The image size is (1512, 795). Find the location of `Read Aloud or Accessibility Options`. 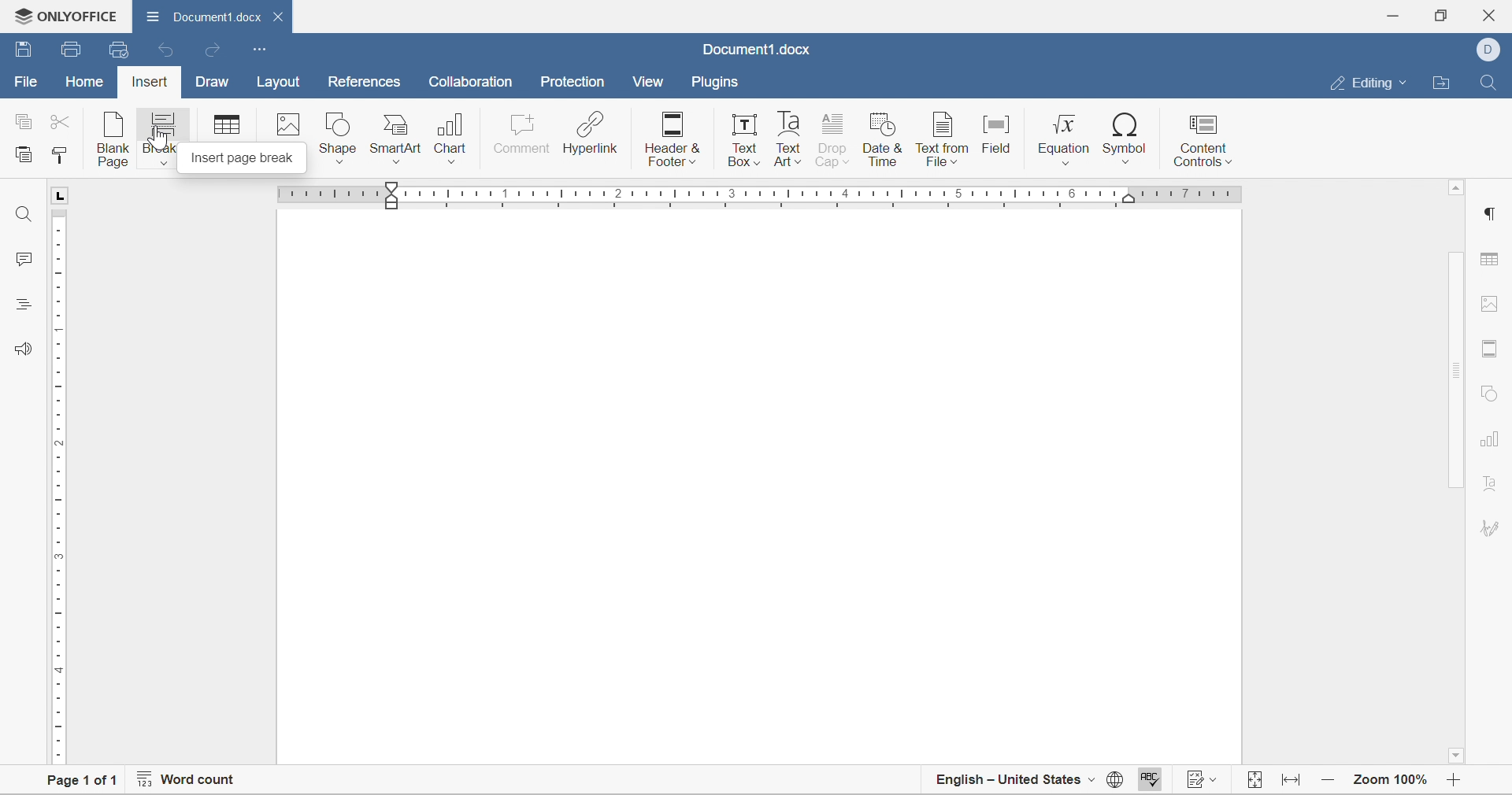

Read Aloud or Accessibility Options is located at coordinates (20, 348).